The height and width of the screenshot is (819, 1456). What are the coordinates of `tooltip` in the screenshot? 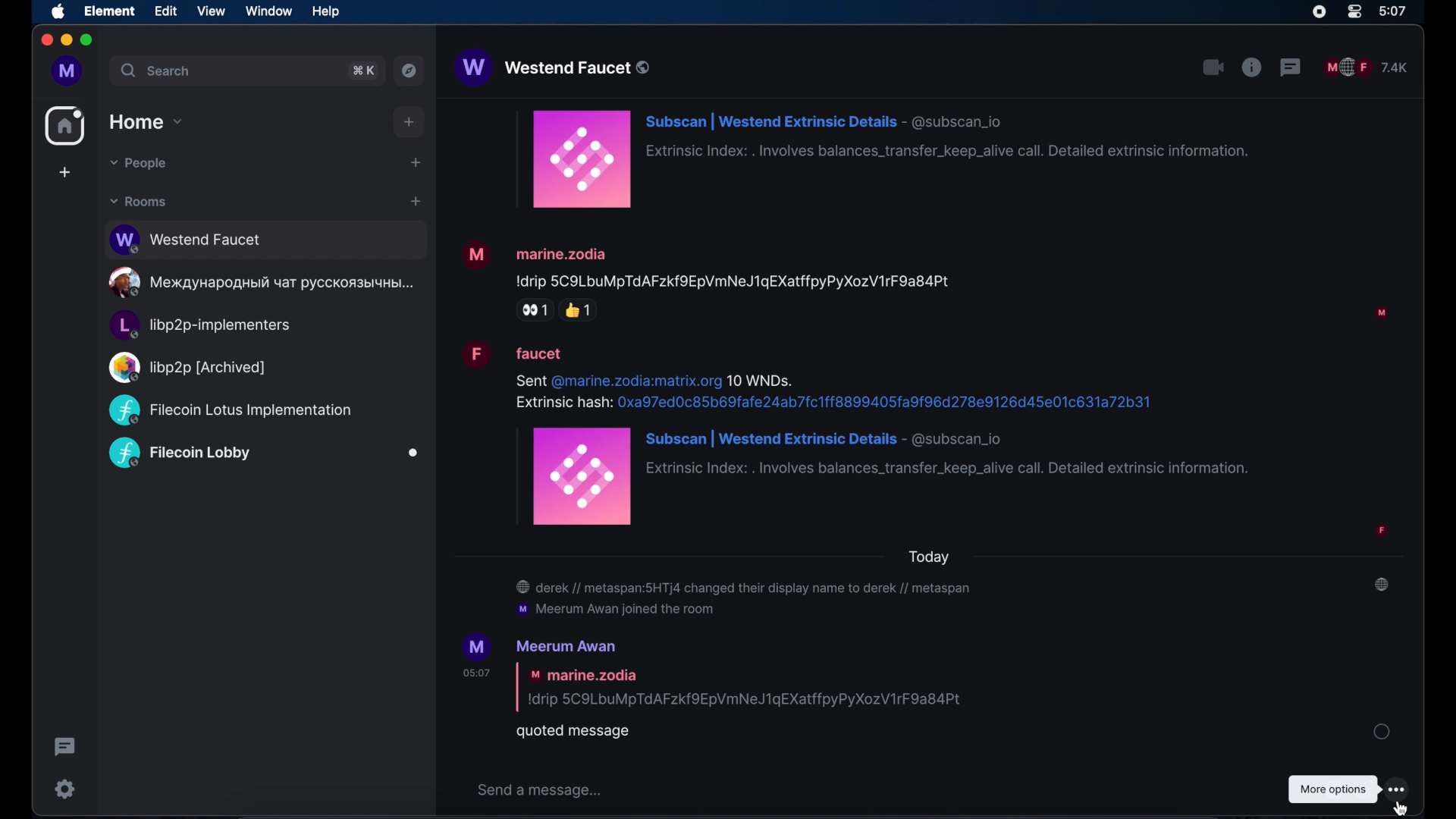 It's located at (1331, 790).